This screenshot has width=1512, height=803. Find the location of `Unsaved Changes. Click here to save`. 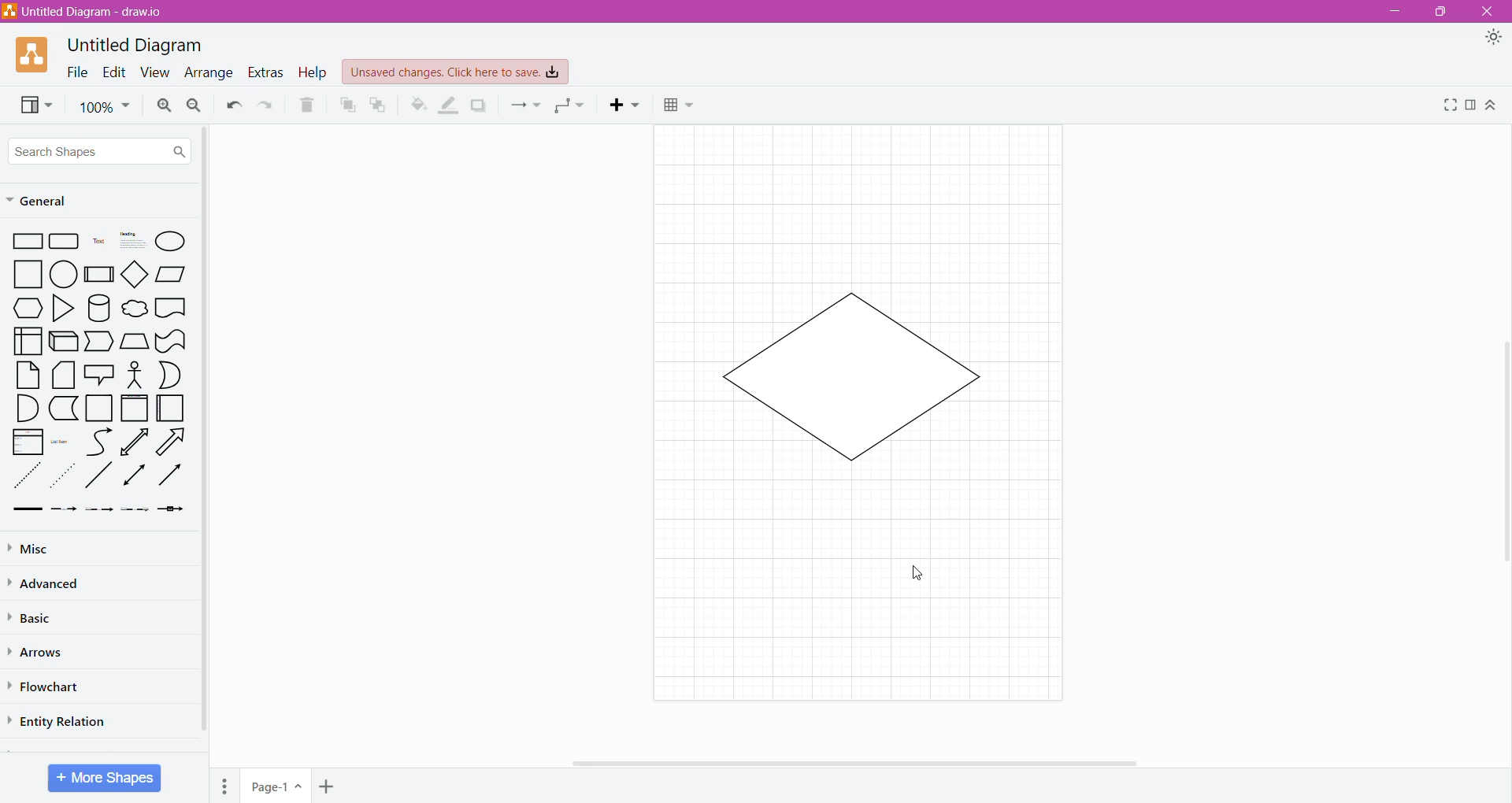

Unsaved Changes. Click here to save is located at coordinates (455, 72).